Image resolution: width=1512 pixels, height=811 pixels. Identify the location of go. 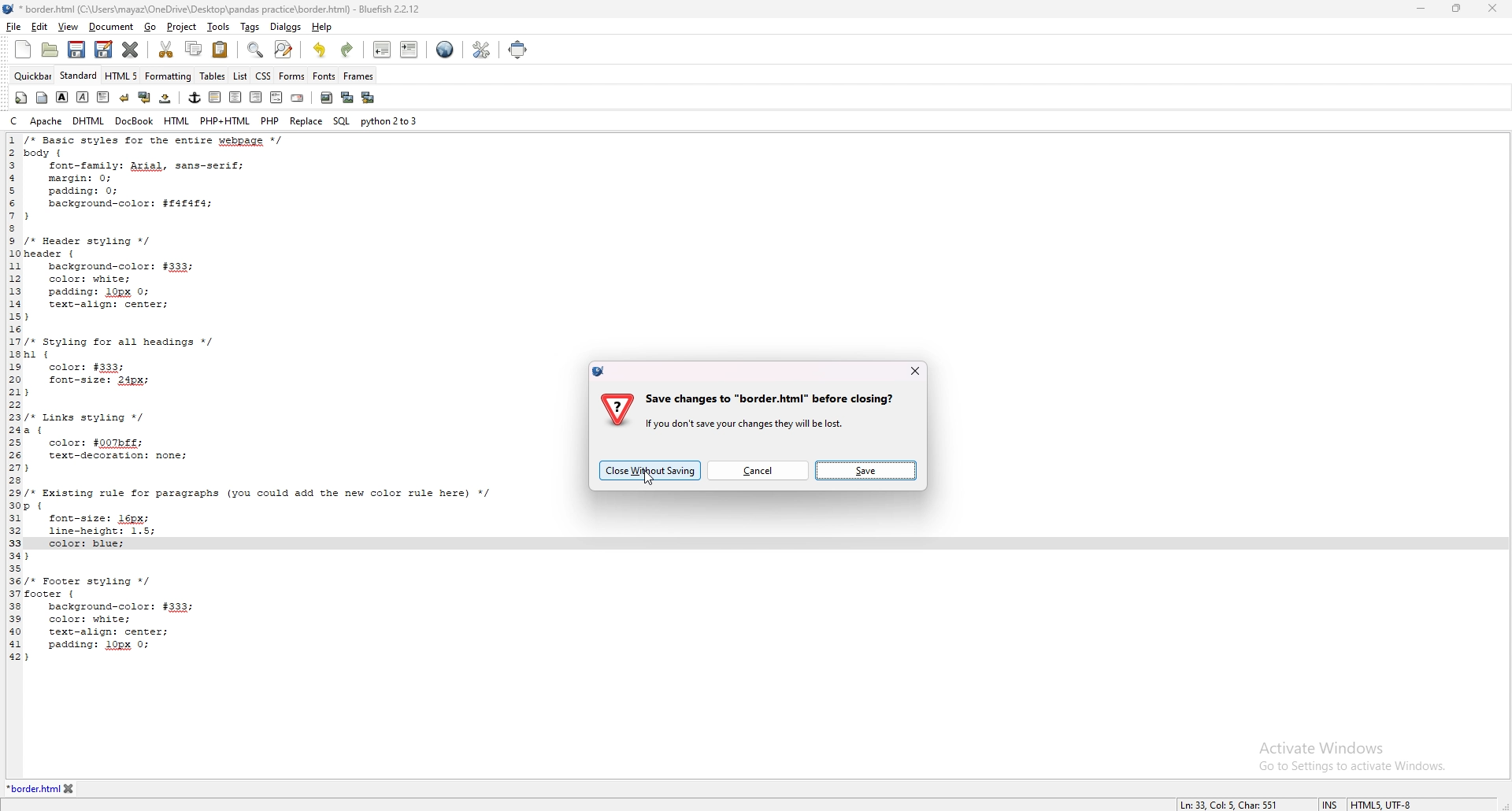
(151, 26).